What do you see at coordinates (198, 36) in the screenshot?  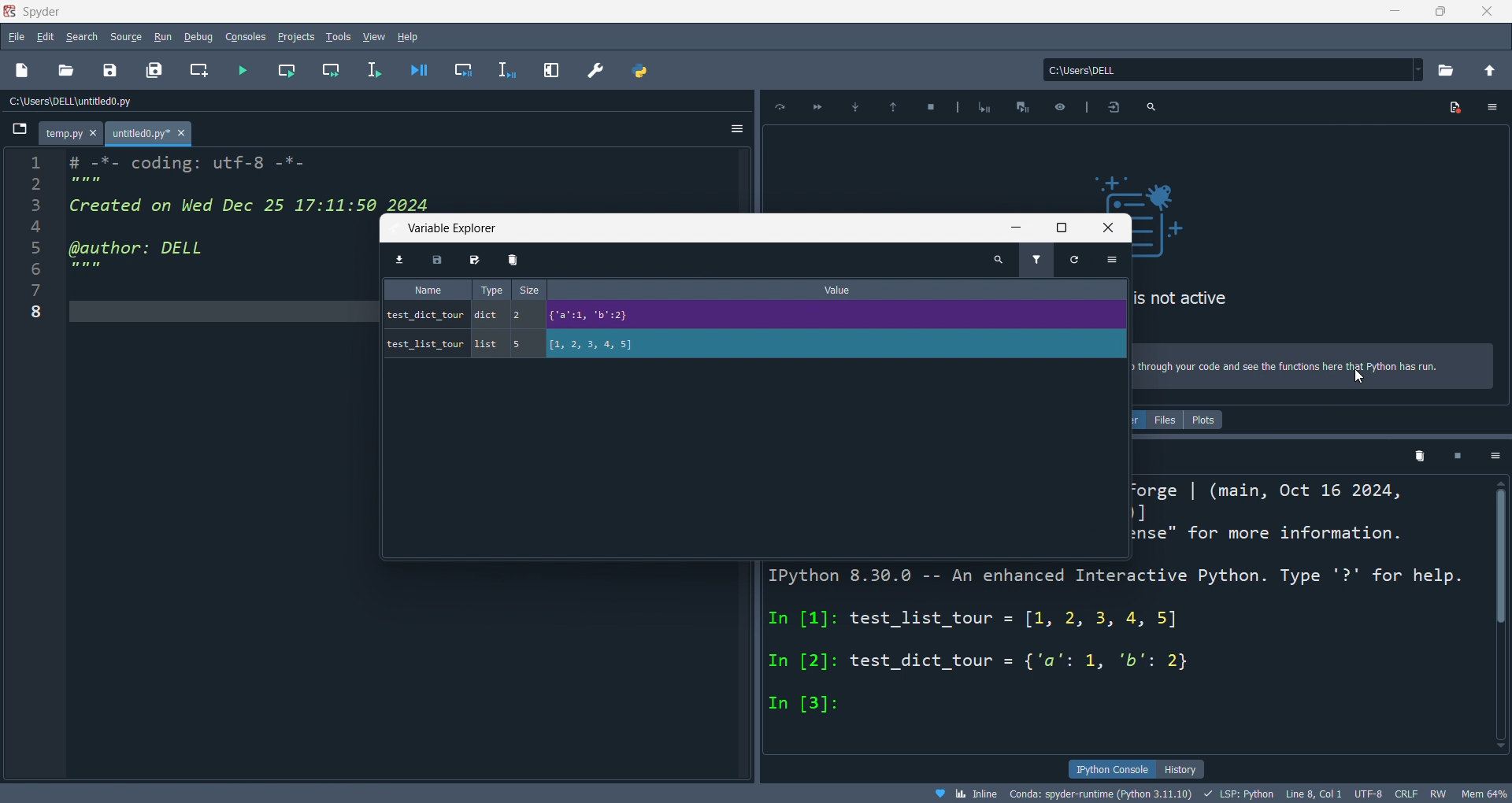 I see `debug` at bounding box center [198, 36].